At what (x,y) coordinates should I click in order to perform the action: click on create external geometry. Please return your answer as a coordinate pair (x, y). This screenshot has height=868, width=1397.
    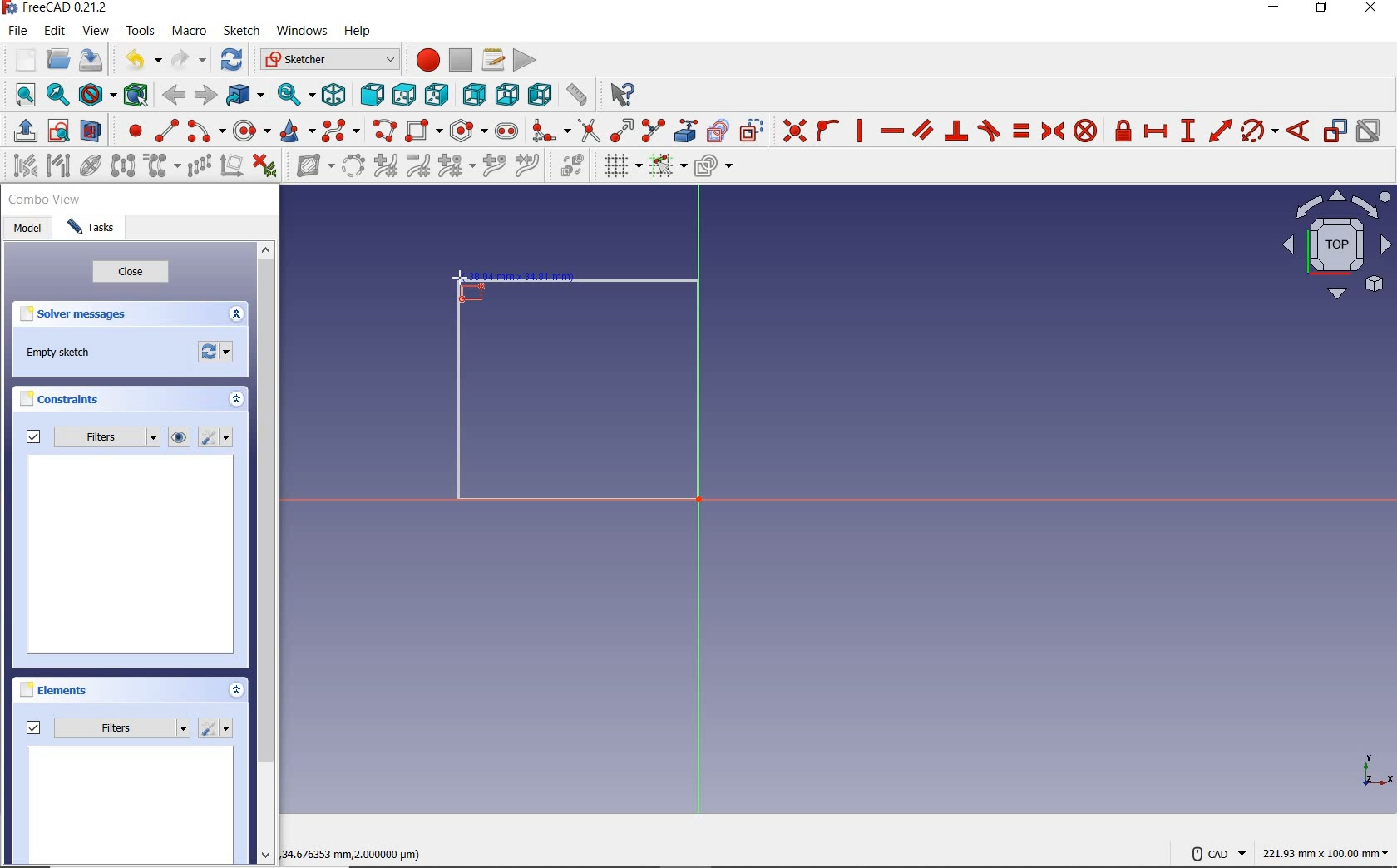
    Looking at the image, I should click on (687, 131).